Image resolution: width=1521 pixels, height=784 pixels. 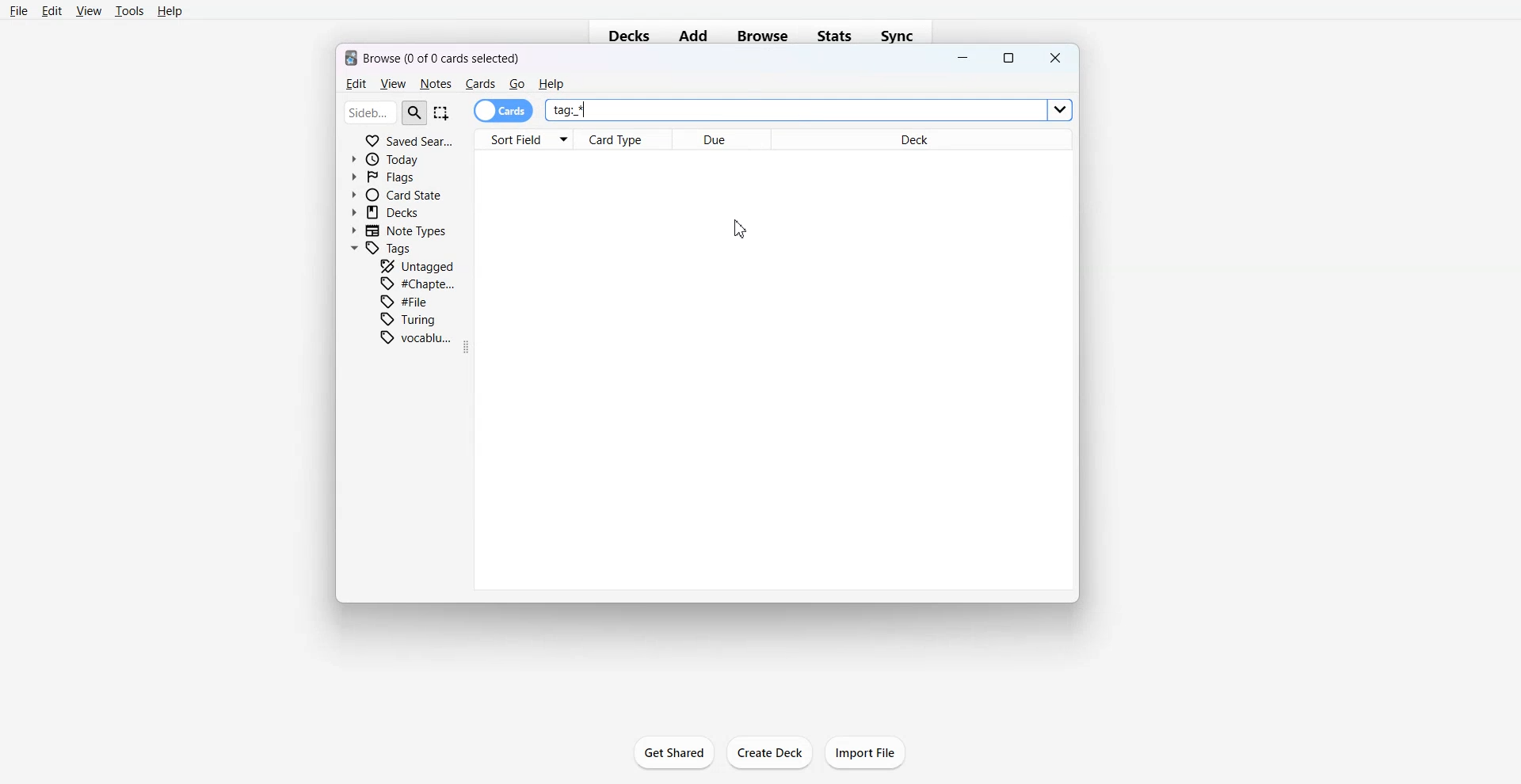 What do you see at coordinates (19, 10) in the screenshot?
I see `File` at bounding box center [19, 10].